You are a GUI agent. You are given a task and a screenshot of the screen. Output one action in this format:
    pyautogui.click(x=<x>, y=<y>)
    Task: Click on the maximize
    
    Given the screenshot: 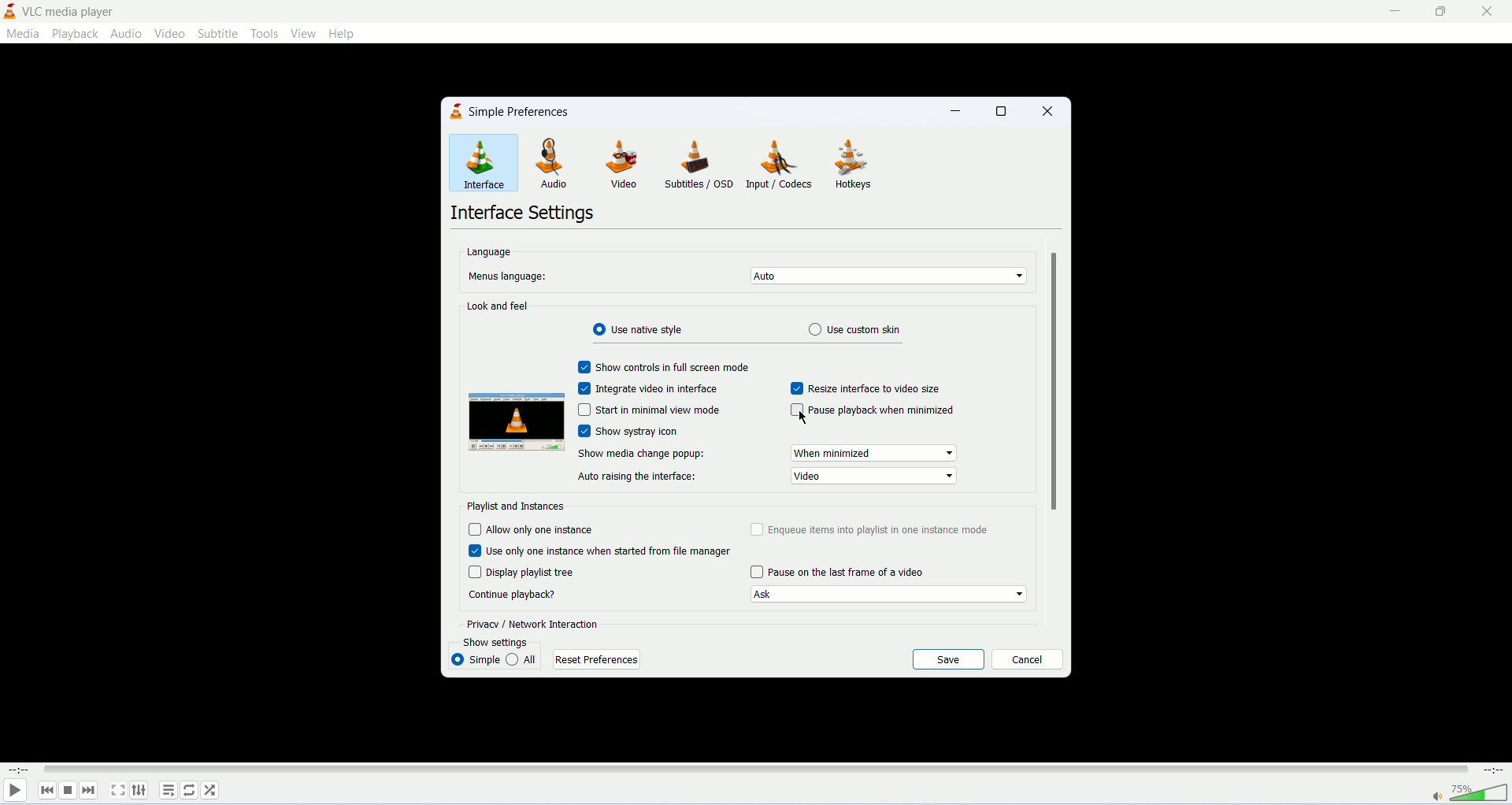 What is the action you would take?
    pyautogui.click(x=1439, y=15)
    